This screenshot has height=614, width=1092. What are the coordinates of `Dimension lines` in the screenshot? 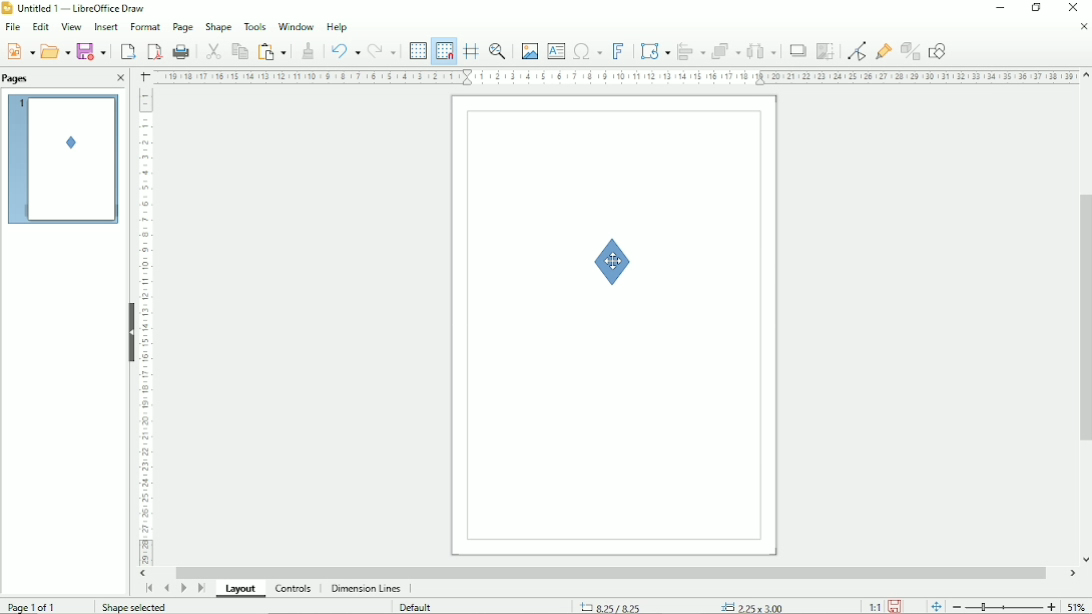 It's located at (366, 589).